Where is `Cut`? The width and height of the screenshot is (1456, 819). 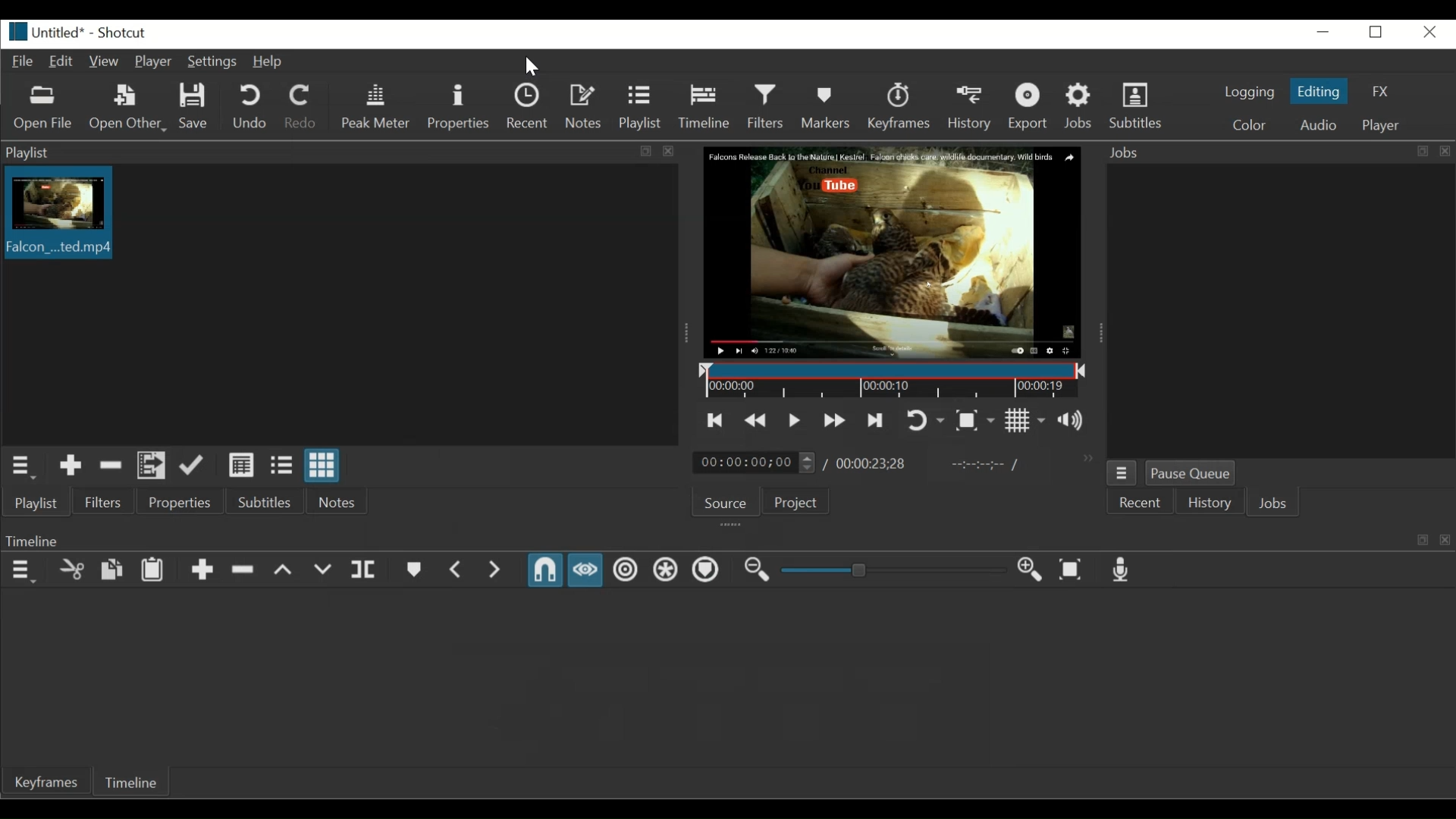
Cut is located at coordinates (70, 568).